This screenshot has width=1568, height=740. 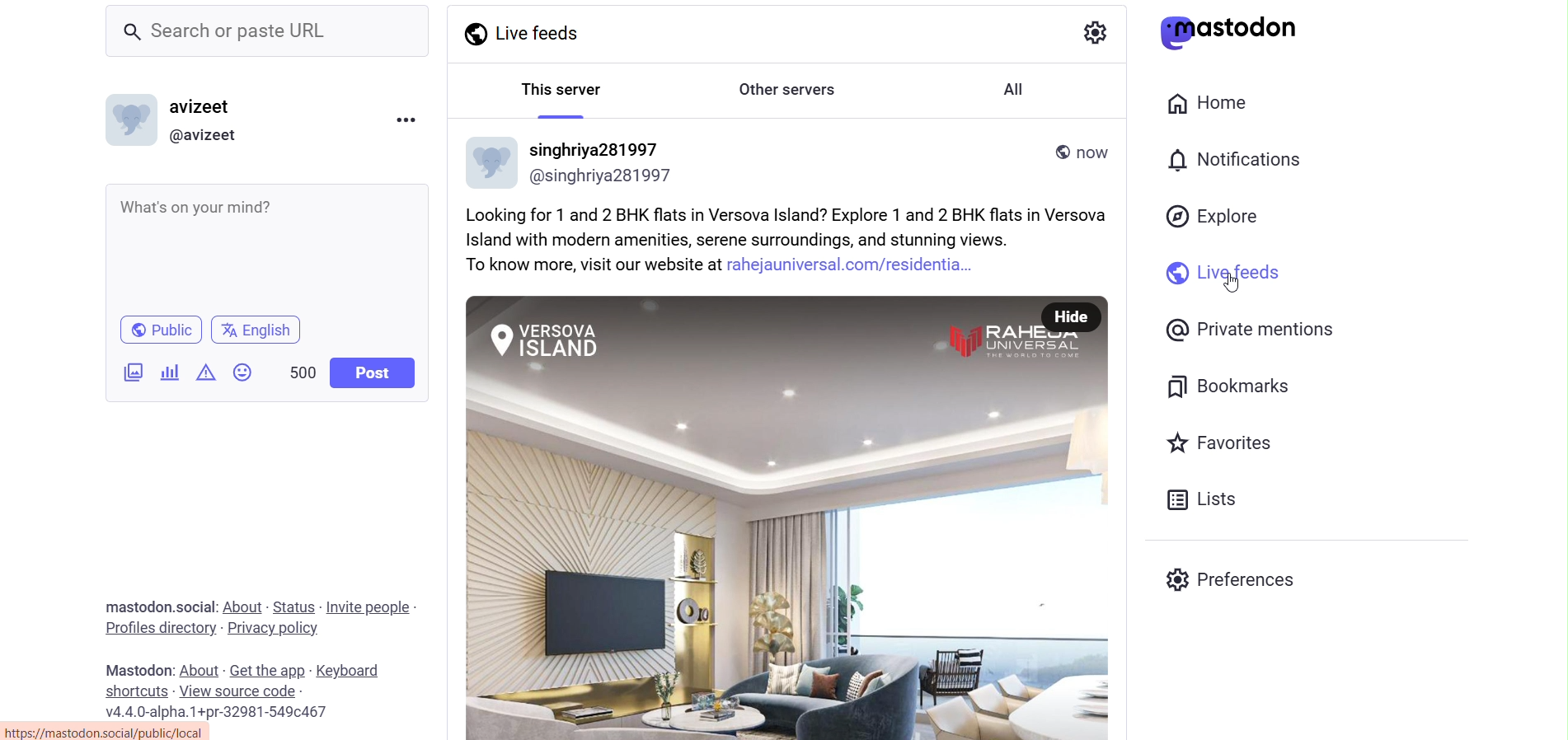 I want to click on source code, so click(x=238, y=692).